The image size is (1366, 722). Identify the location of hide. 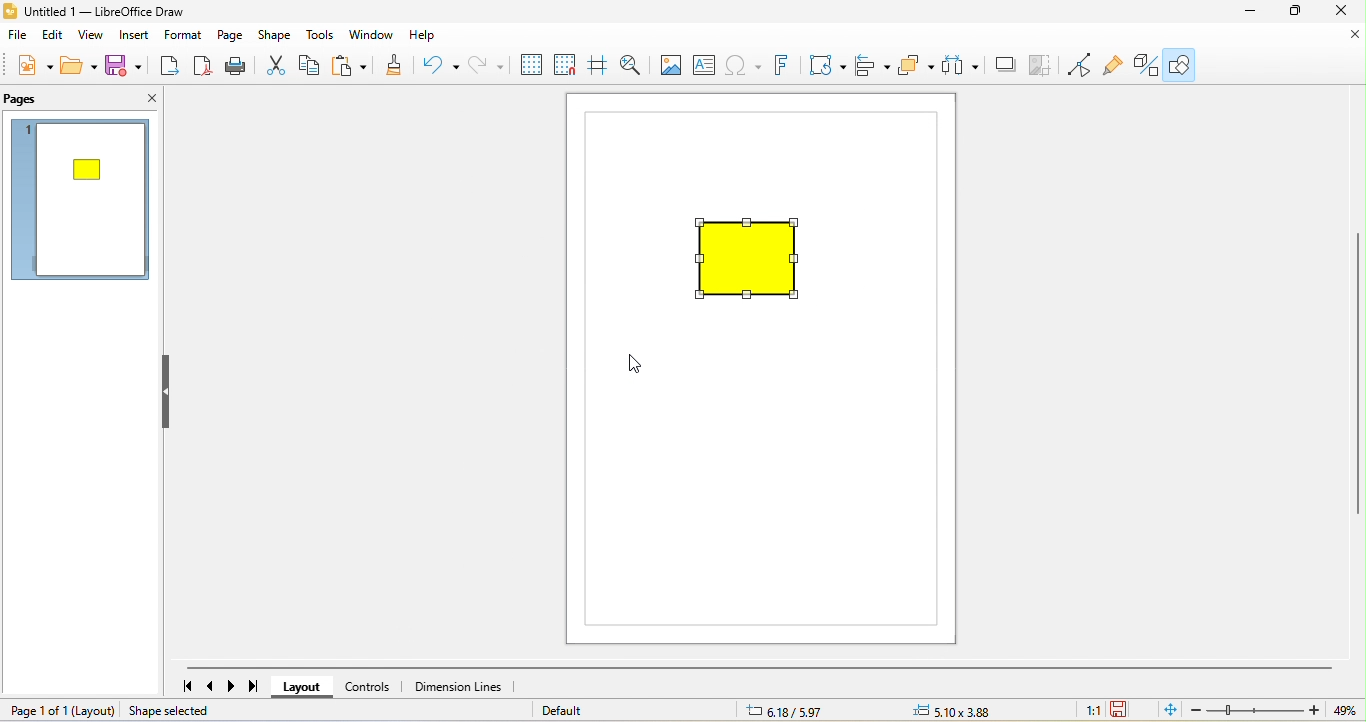
(168, 394).